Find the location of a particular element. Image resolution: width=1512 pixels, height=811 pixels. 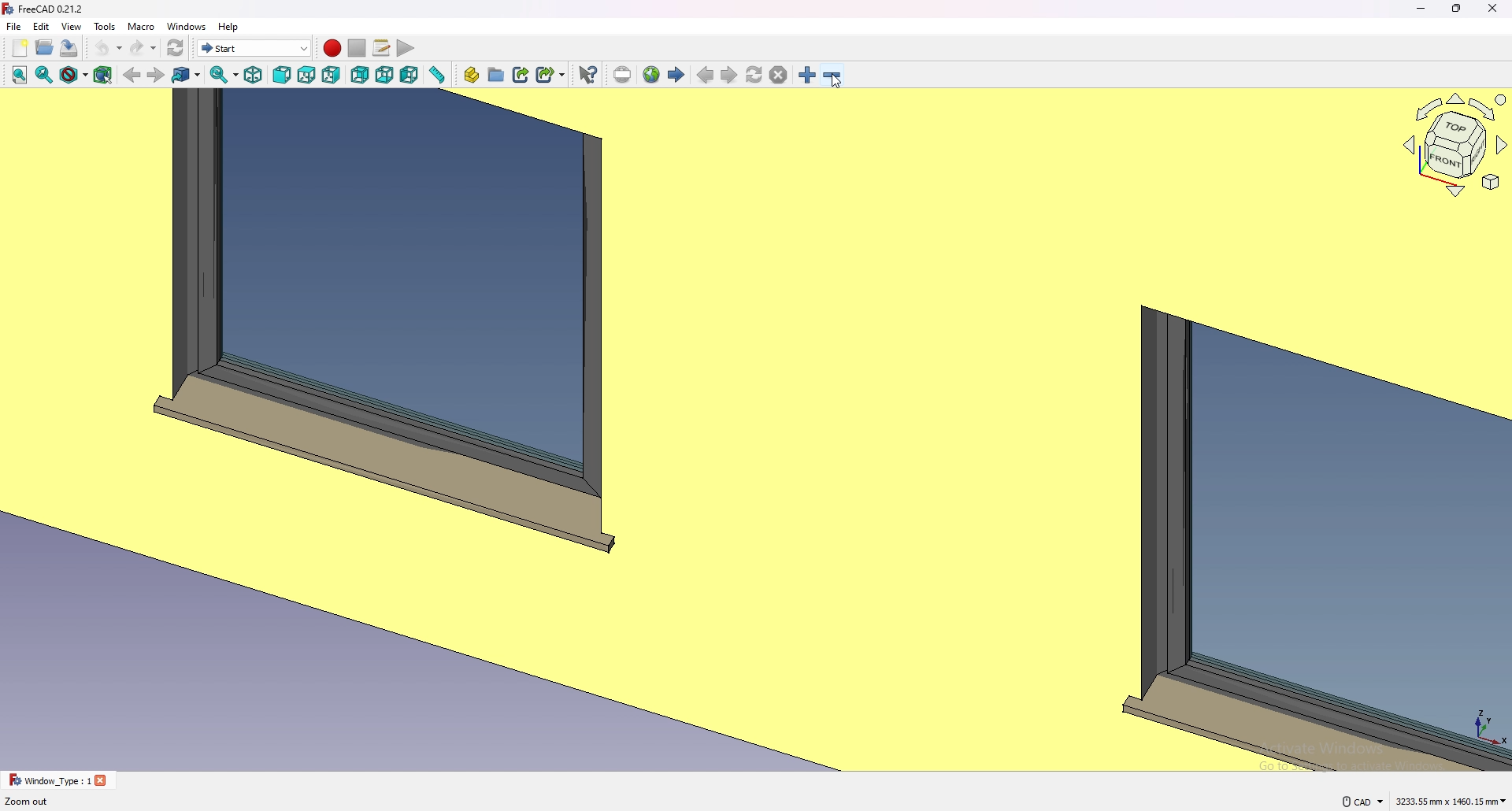

create part is located at coordinates (471, 75).